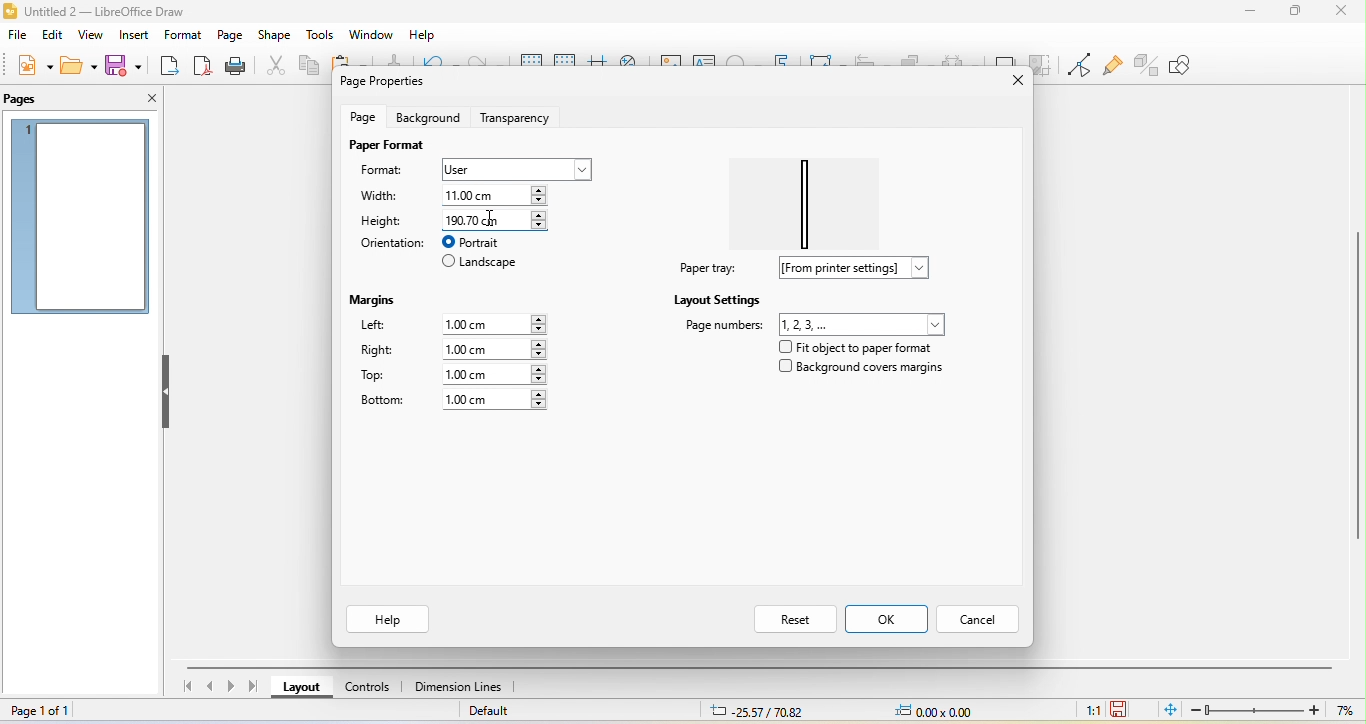 The height and width of the screenshot is (724, 1366). I want to click on title, so click(122, 10).